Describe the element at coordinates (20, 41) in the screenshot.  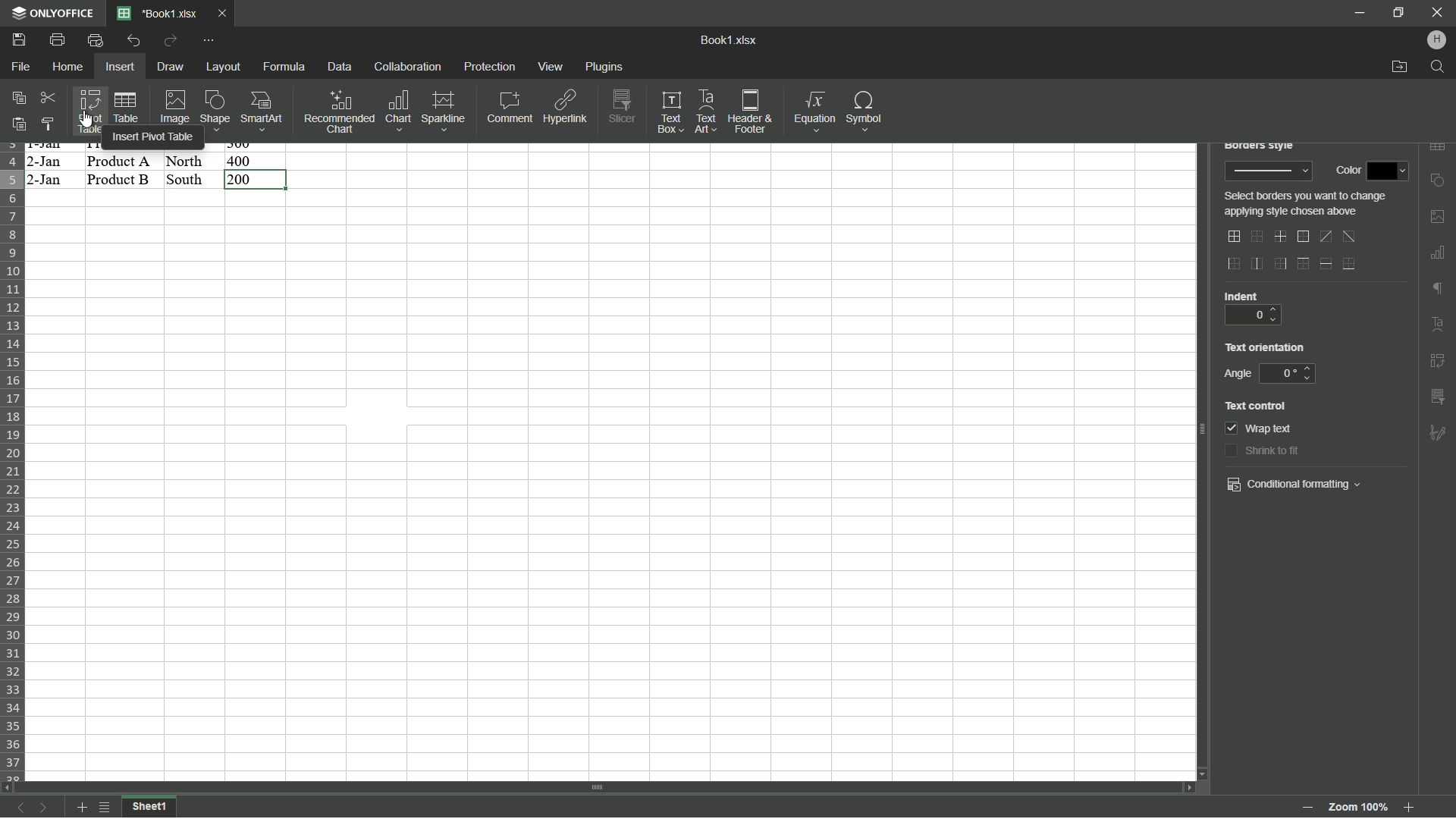
I see `save` at that location.